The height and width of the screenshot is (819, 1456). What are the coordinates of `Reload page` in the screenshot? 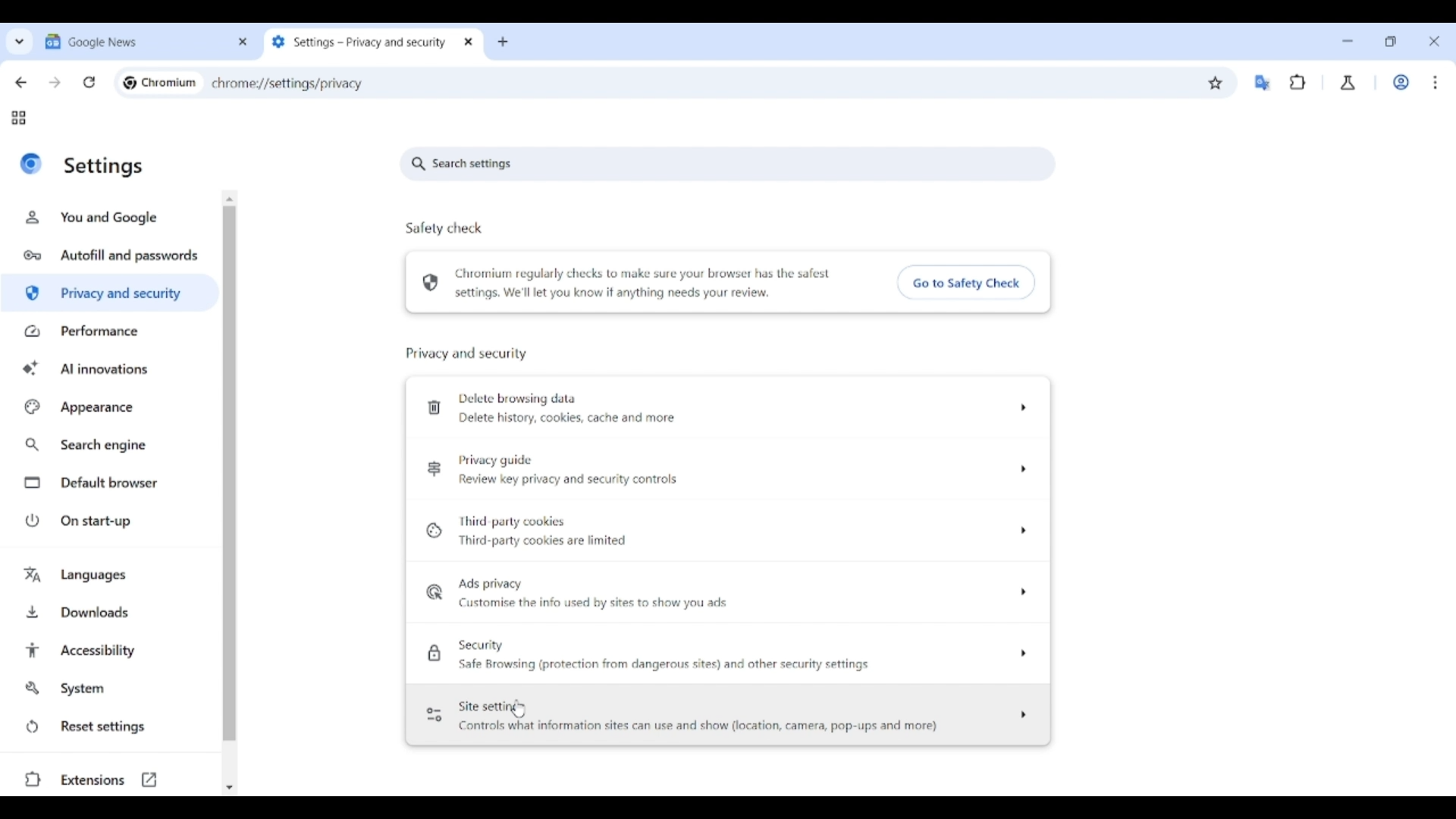 It's located at (89, 82).